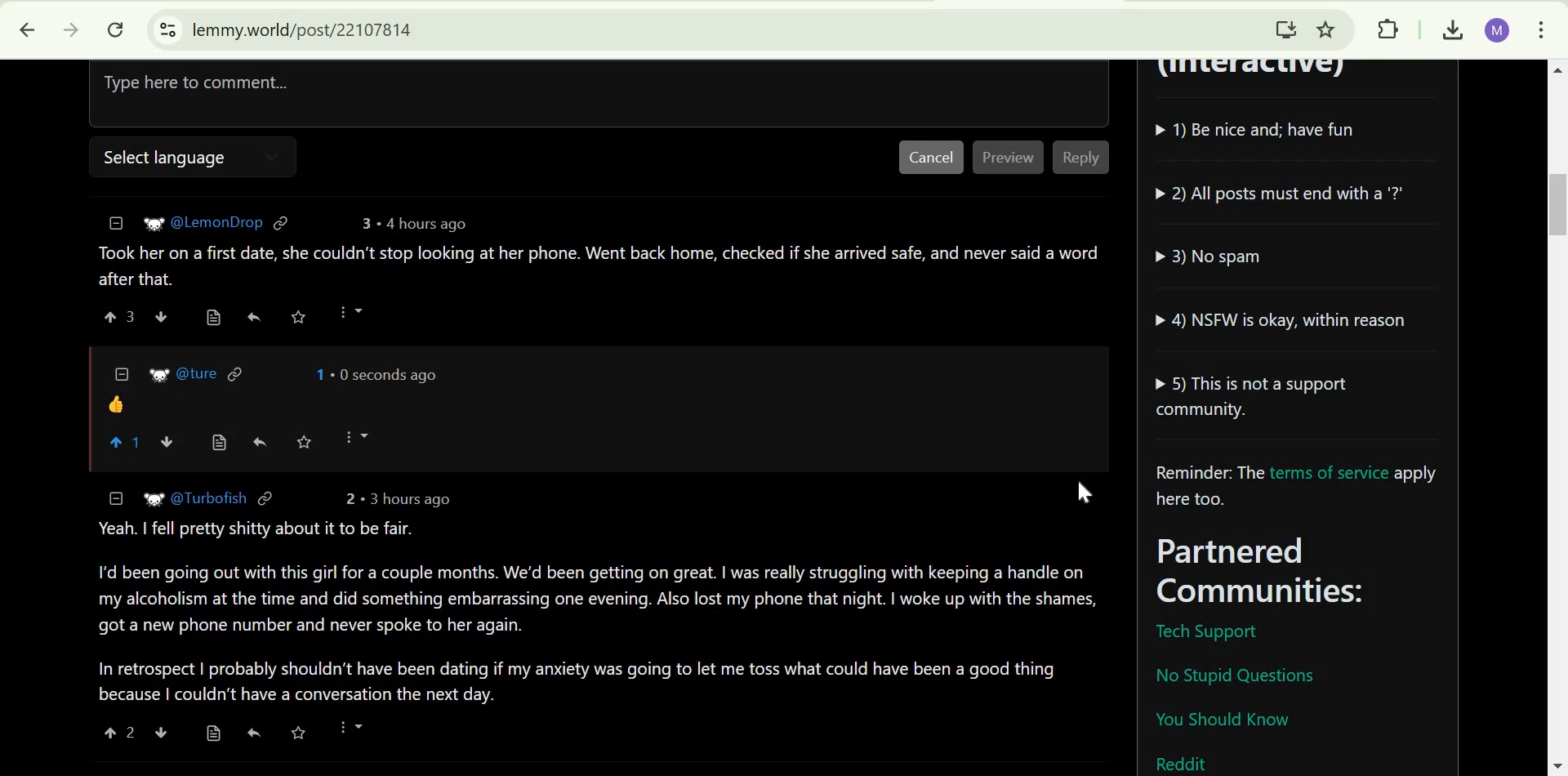 The width and height of the screenshot is (1568, 776). Describe the element at coordinates (216, 221) in the screenshot. I see `user ID` at that location.